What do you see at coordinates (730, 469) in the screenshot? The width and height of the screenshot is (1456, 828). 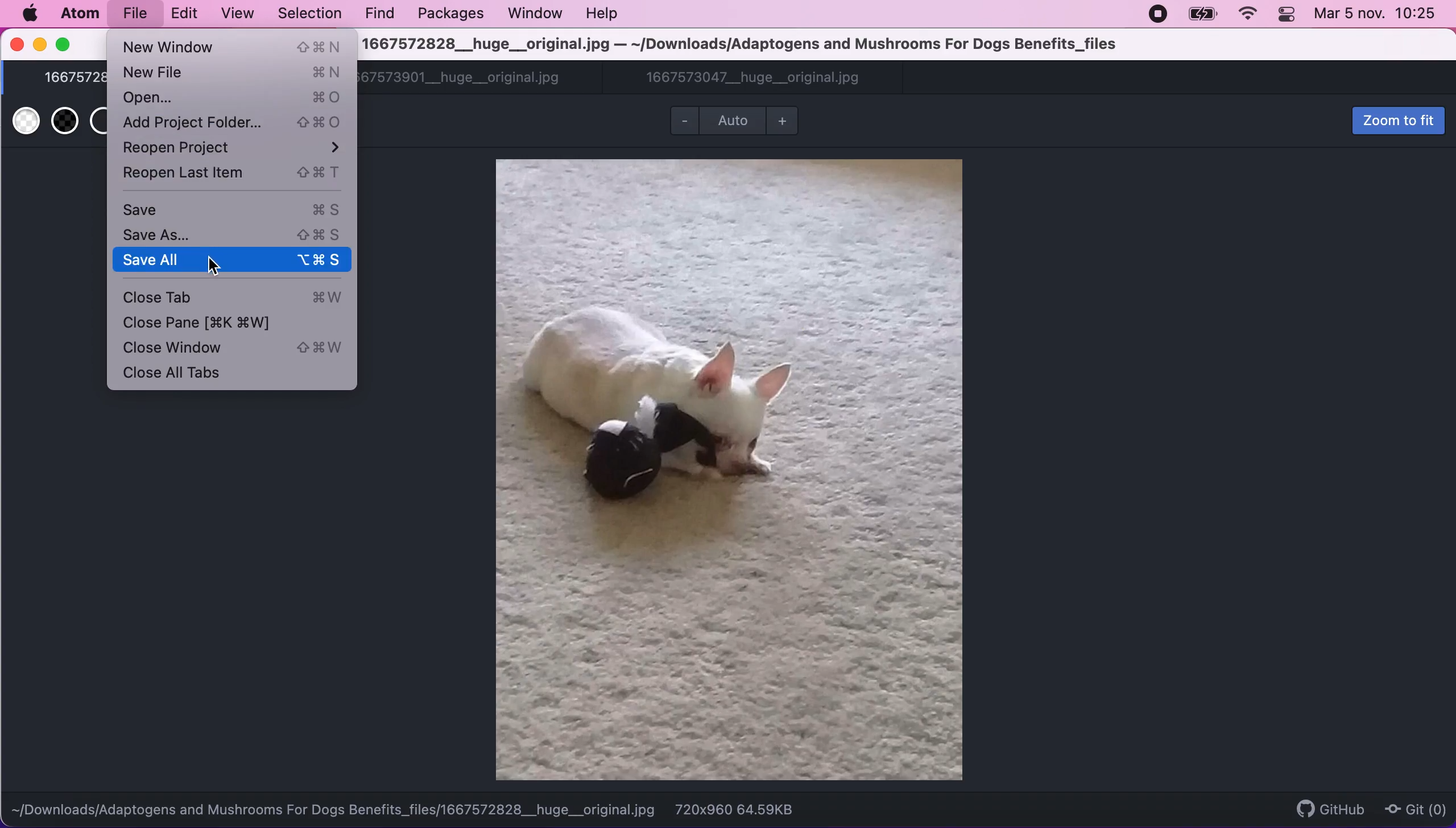 I see `file image` at bounding box center [730, 469].